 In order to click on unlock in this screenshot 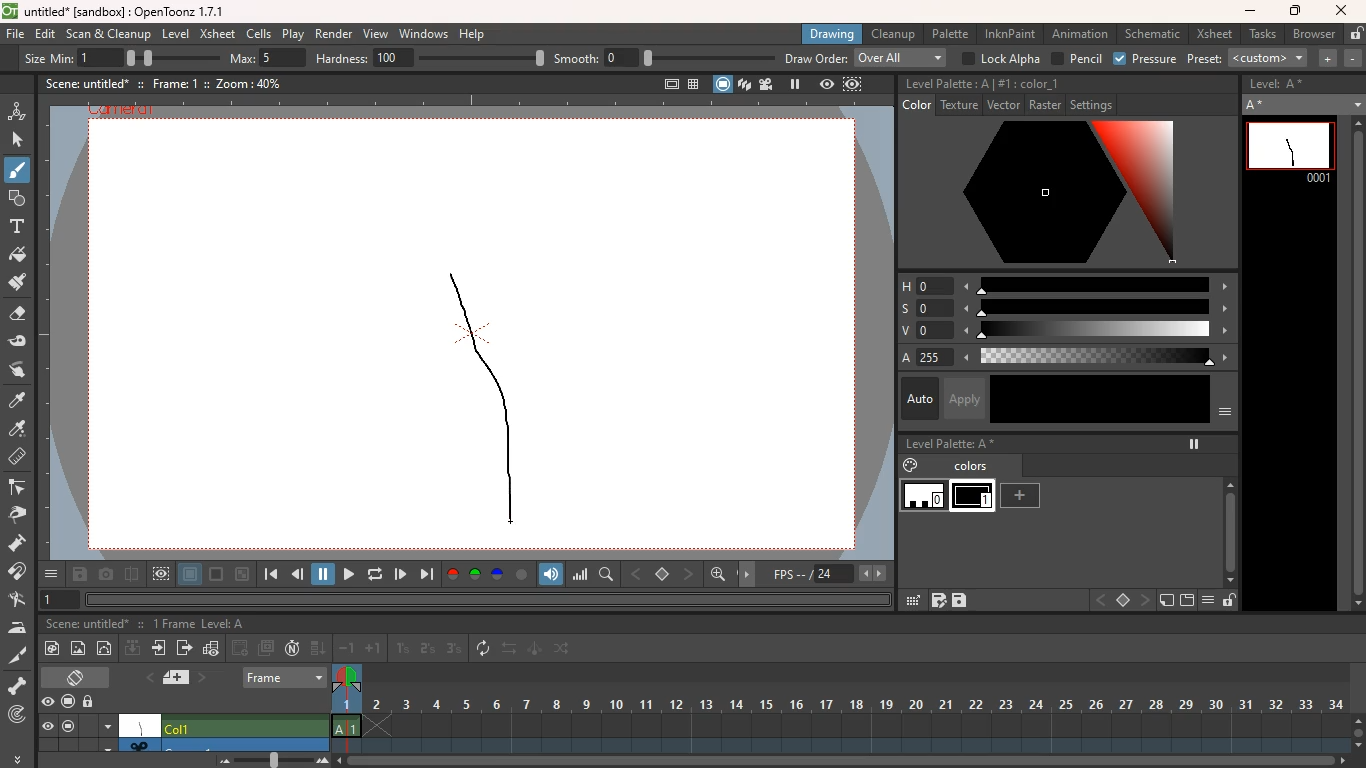, I will do `click(1229, 602)`.